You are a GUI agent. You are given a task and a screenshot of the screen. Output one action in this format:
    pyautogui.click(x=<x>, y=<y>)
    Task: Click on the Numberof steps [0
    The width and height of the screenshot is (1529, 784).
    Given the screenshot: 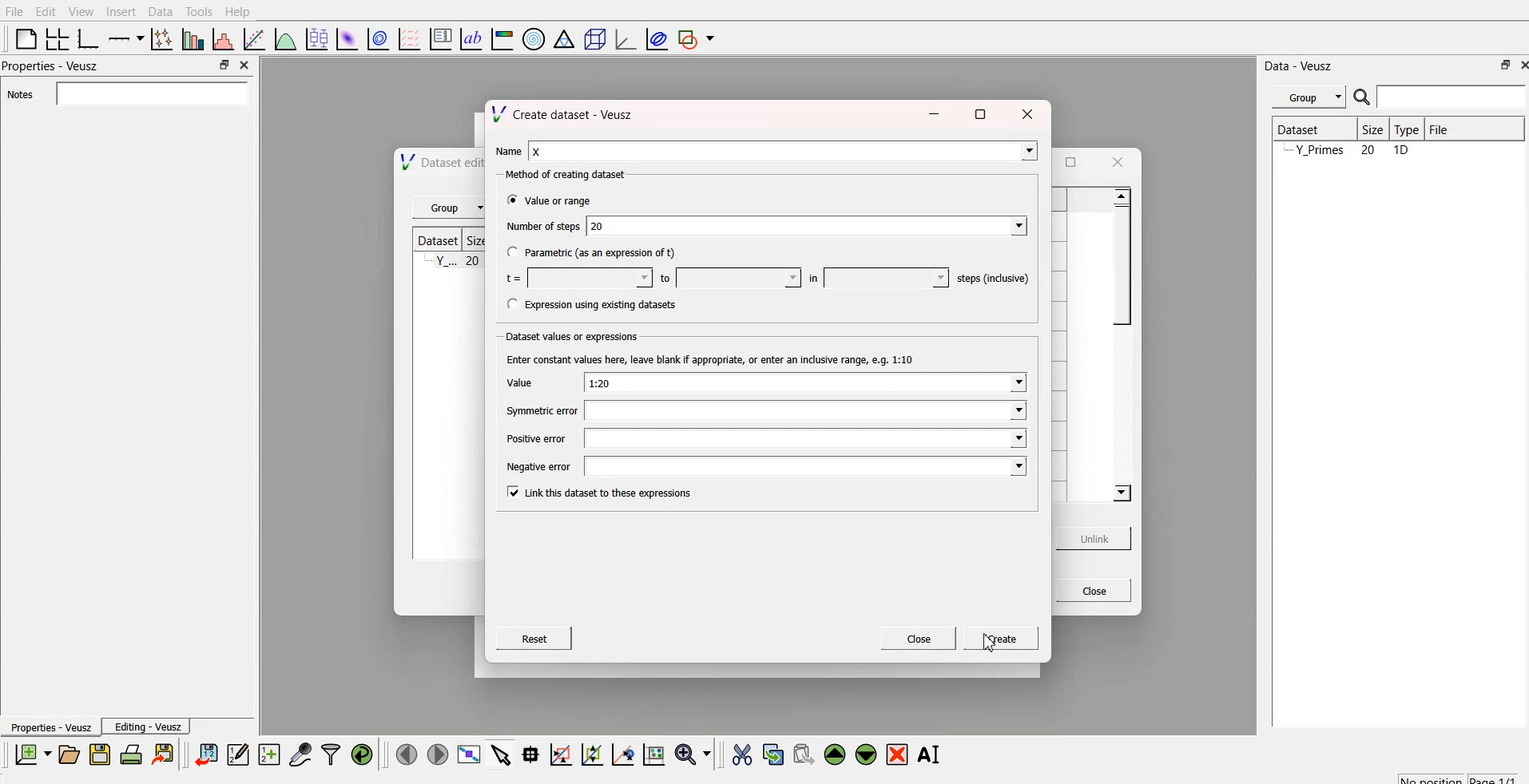 What is the action you would take?
    pyautogui.click(x=768, y=224)
    